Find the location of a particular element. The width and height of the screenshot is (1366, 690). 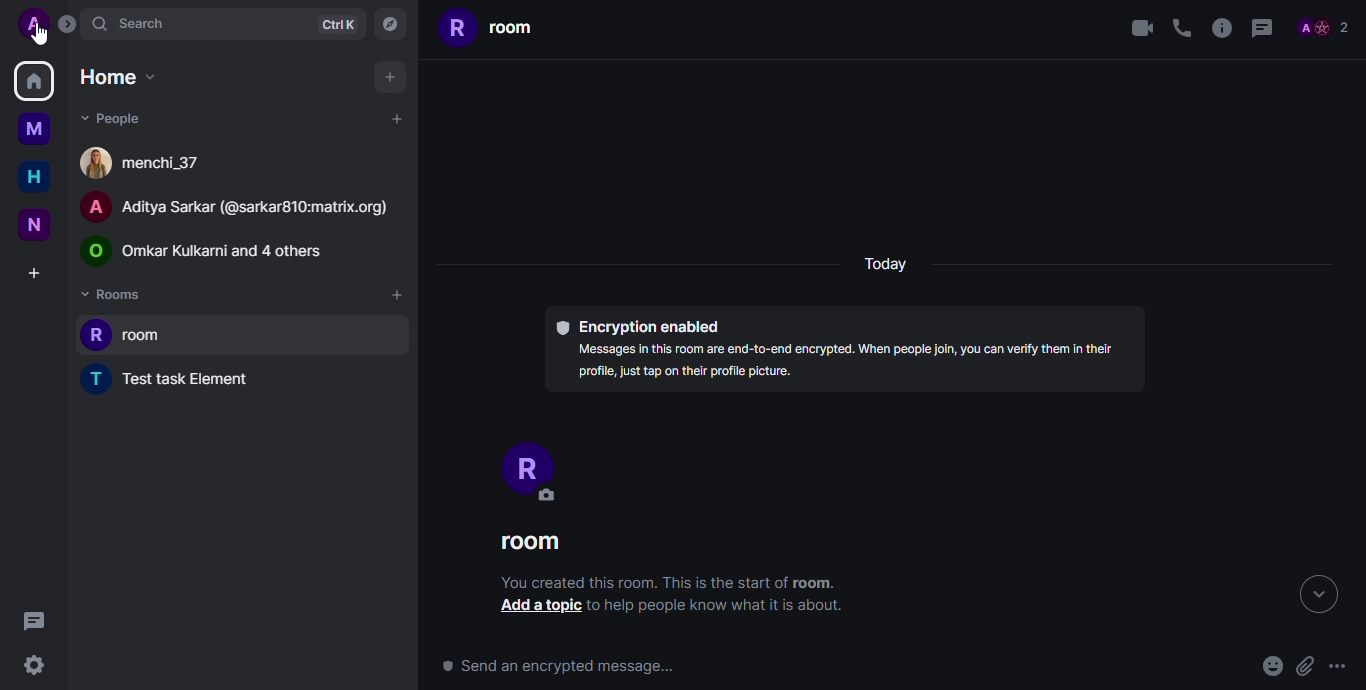

info is located at coordinates (719, 605).